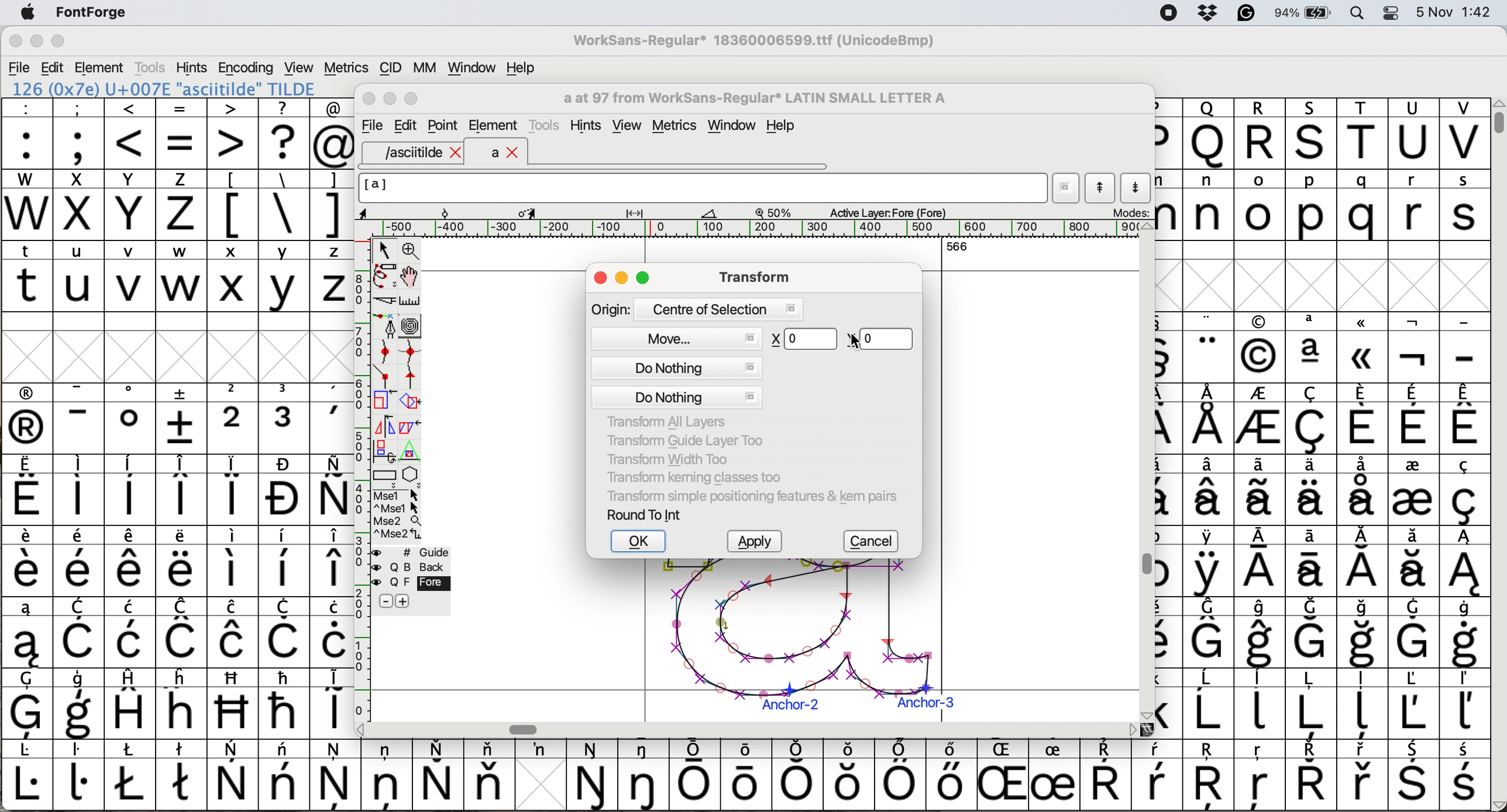  Describe the element at coordinates (384, 425) in the screenshot. I see `flip selection` at that location.